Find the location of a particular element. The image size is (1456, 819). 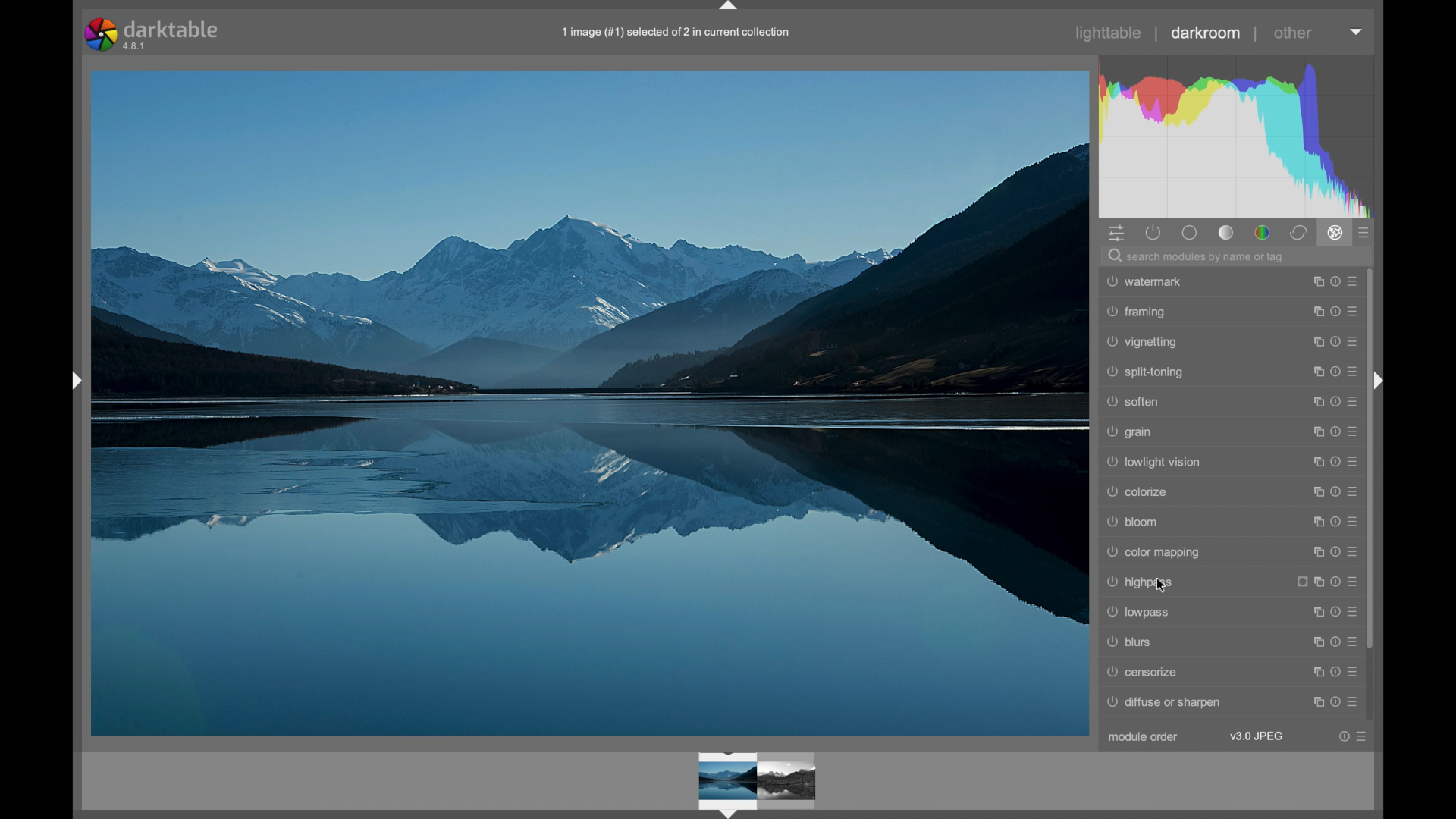

vignetting is located at coordinates (1143, 342).